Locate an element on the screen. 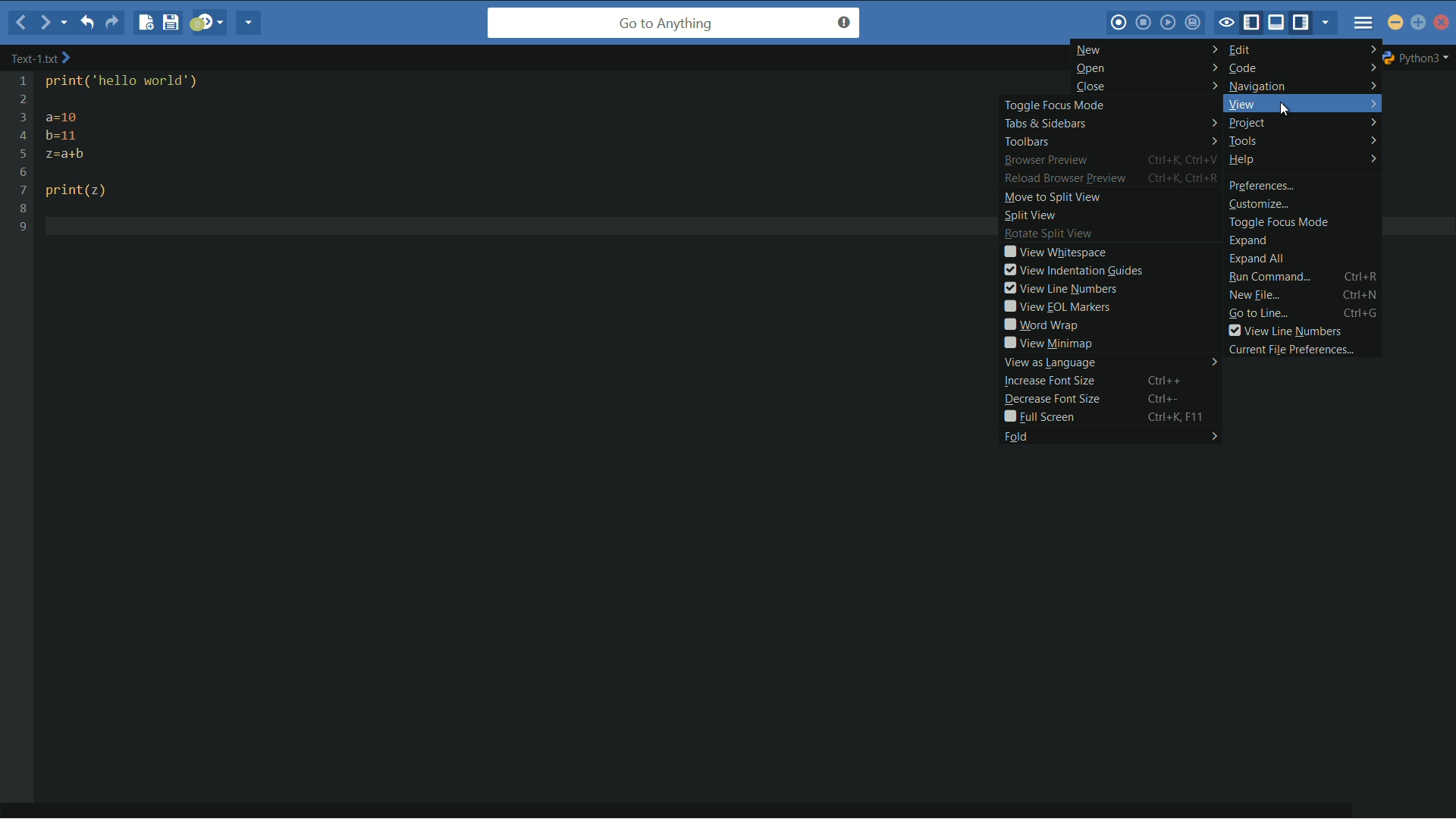 The image size is (1456, 819). Ctrl+K, Ctrl+V is located at coordinates (1185, 160).